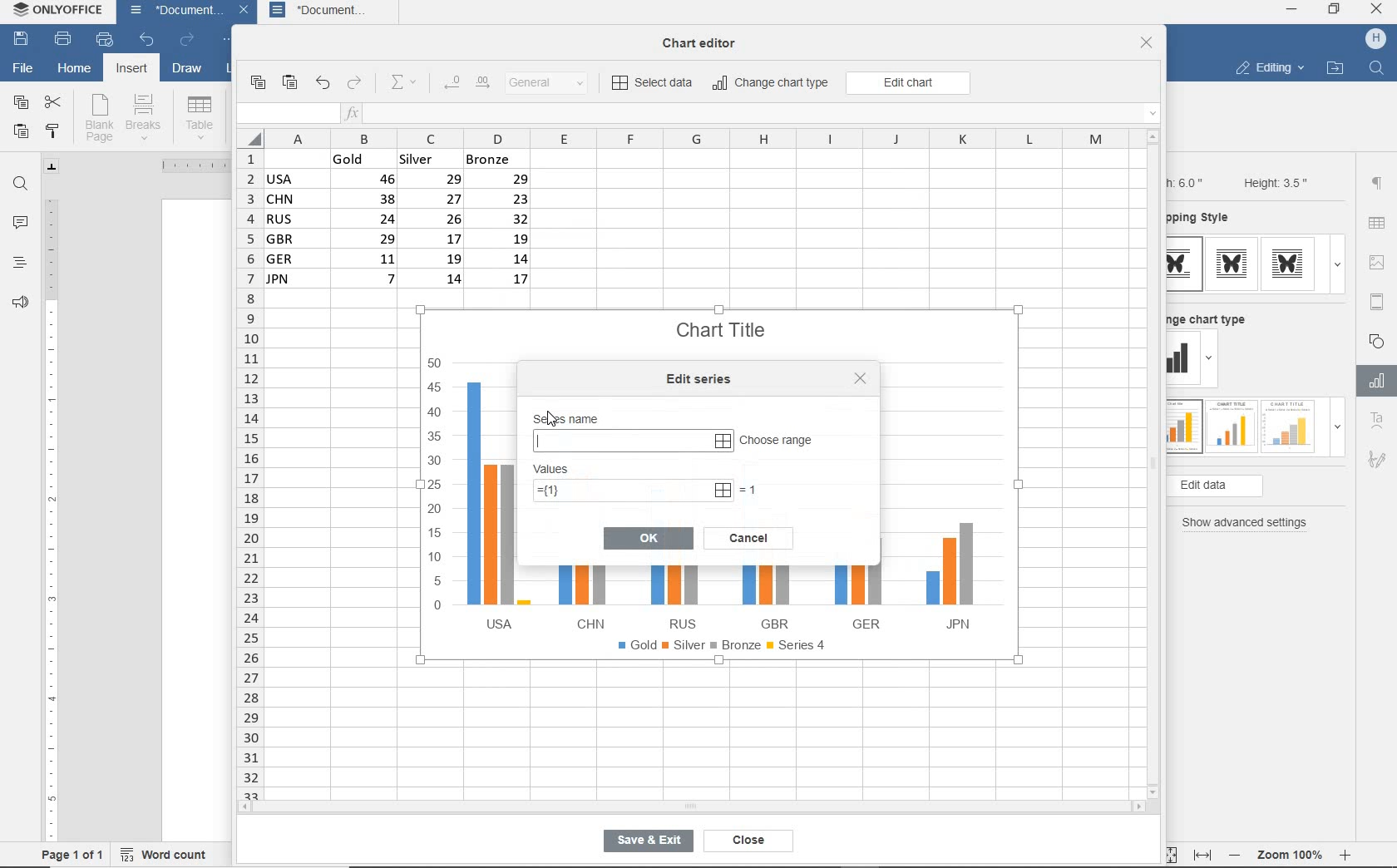 This screenshot has height=868, width=1397. Describe the element at coordinates (768, 596) in the screenshot. I see `[1]
GBR` at that location.